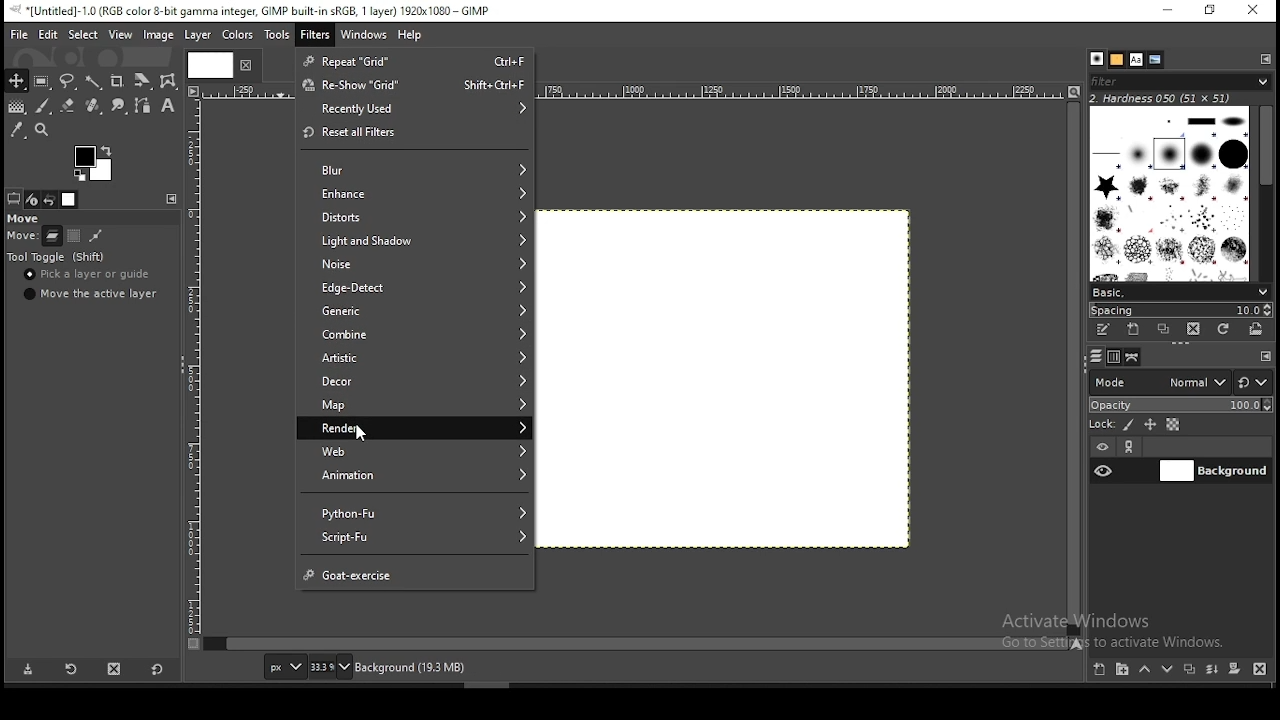 This screenshot has width=1280, height=720. I want to click on create a new brush, so click(1135, 330).